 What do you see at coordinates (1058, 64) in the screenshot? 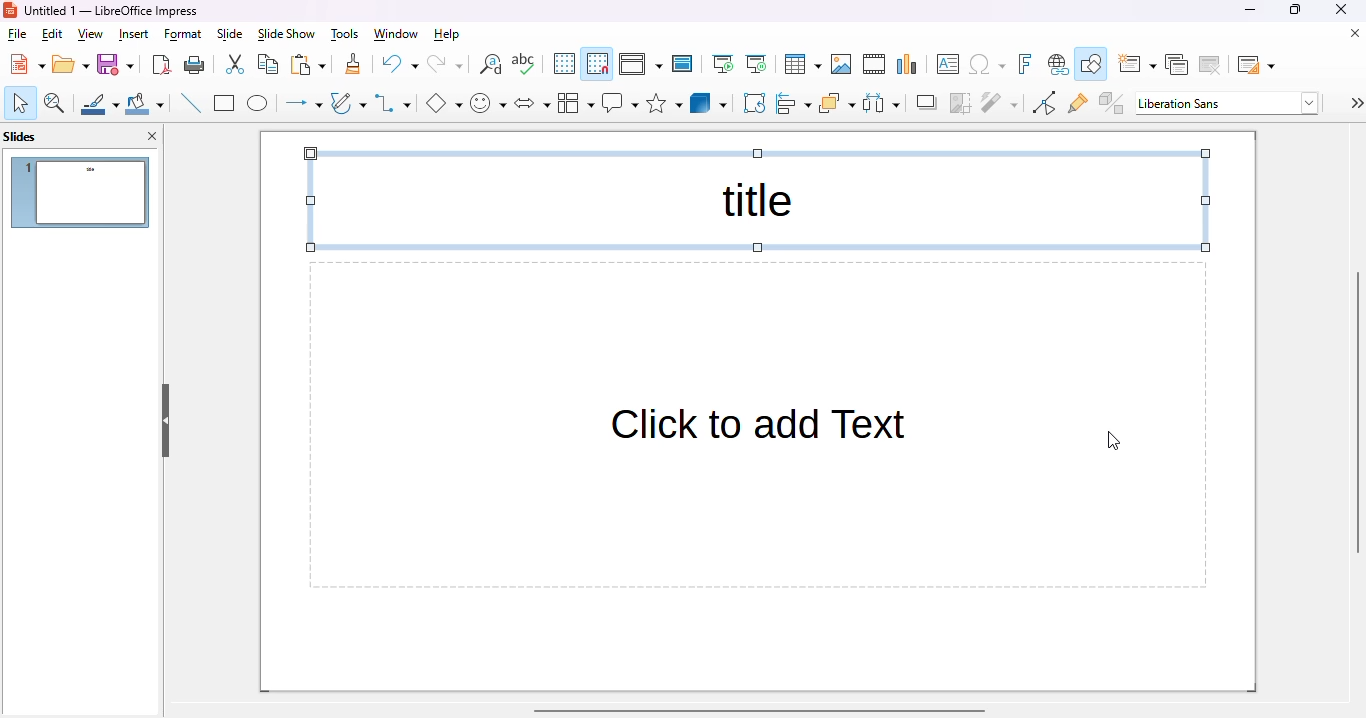
I see `insert hyperlink` at bounding box center [1058, 64].